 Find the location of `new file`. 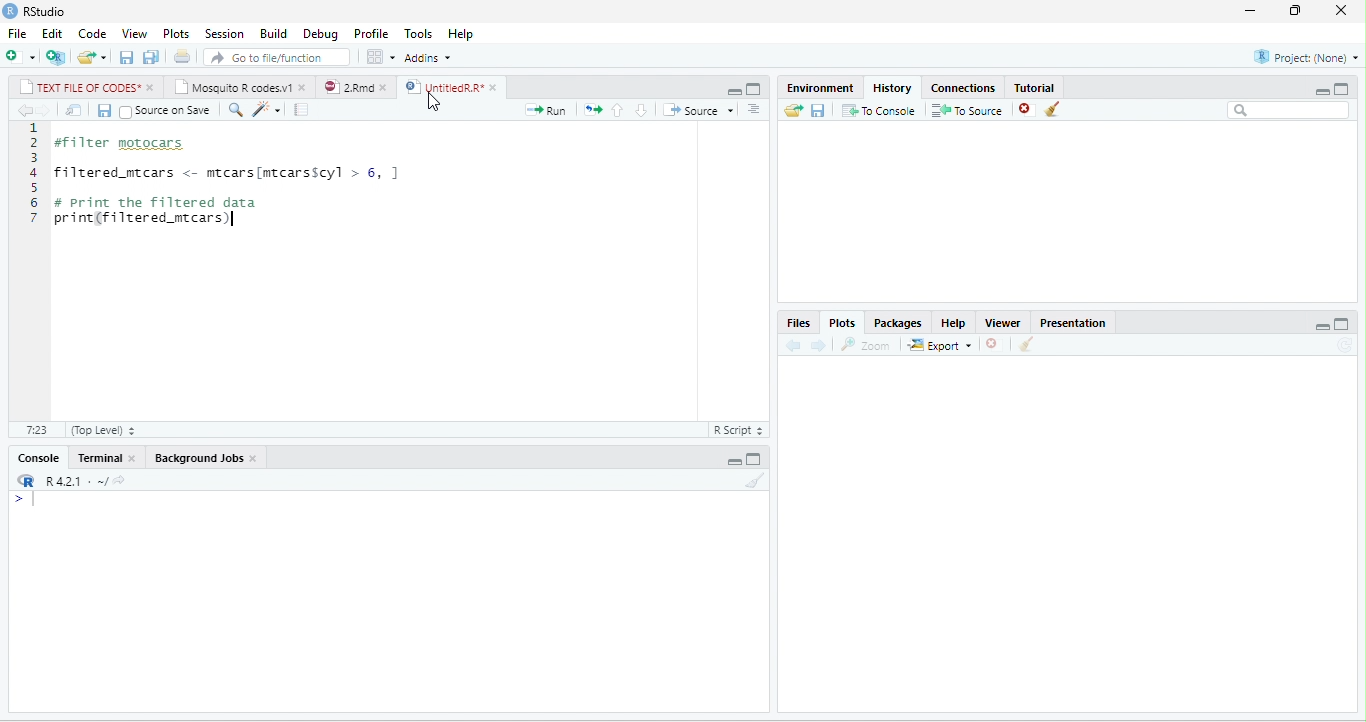

new file is located at coordinates (21, 56).